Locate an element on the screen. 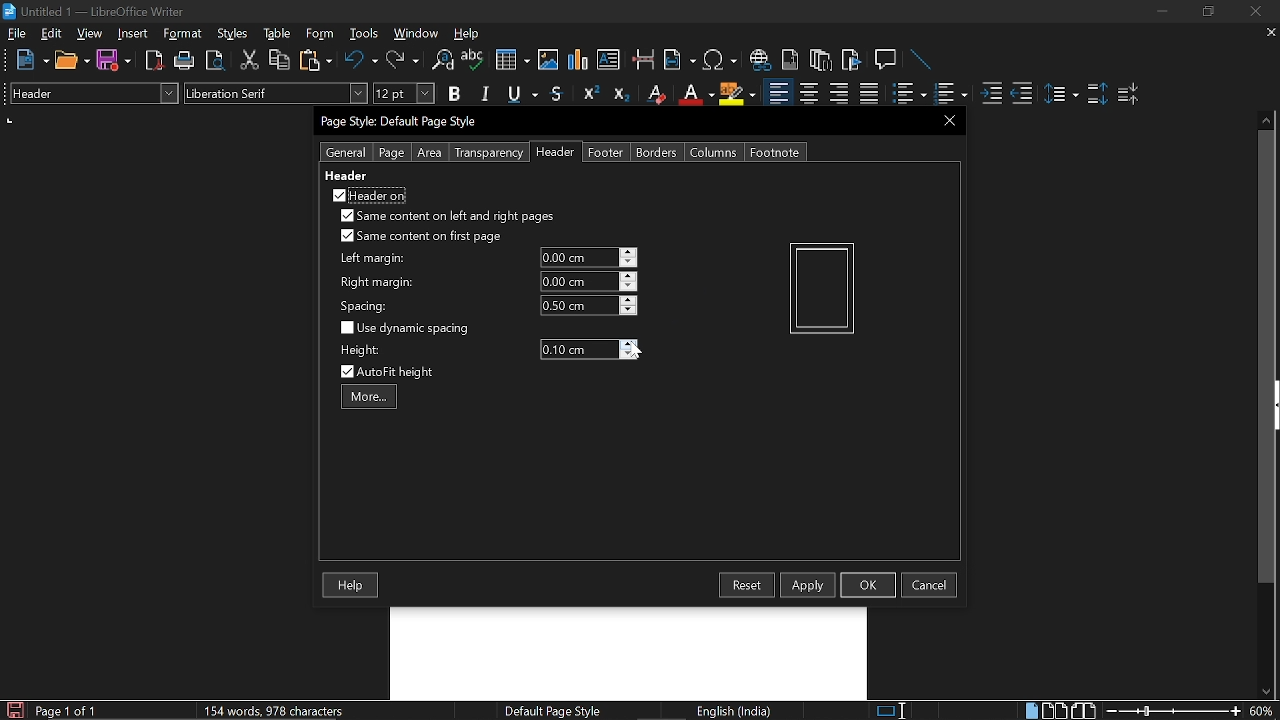 The height and width of the screenshot is (720, 1280). Center is located at coordinates (808, 93).